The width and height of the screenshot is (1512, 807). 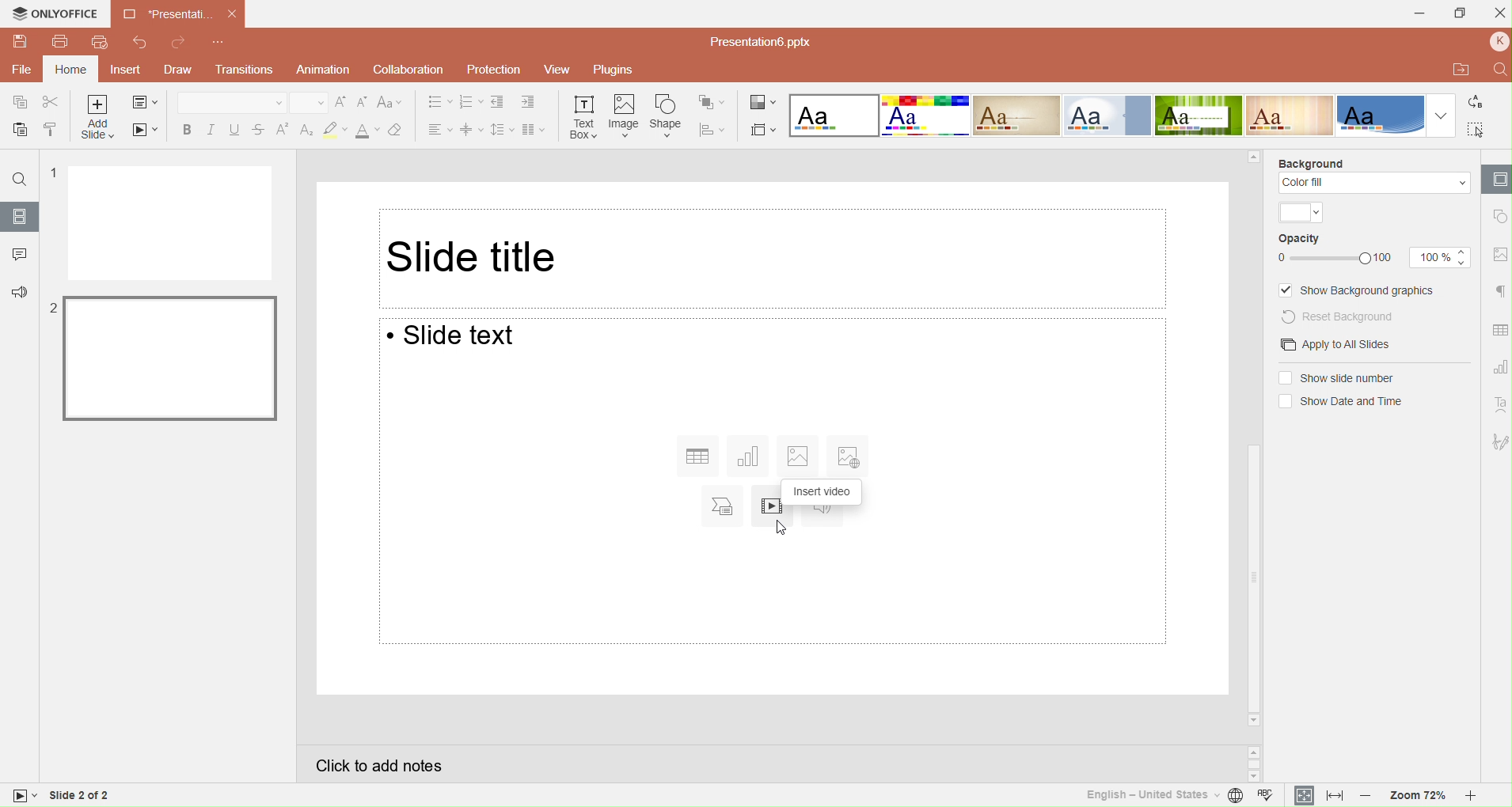 What do you see at coordinates (583, 116) in the screenshot?
I see `Inset text box` at bounding box center [583, 116].